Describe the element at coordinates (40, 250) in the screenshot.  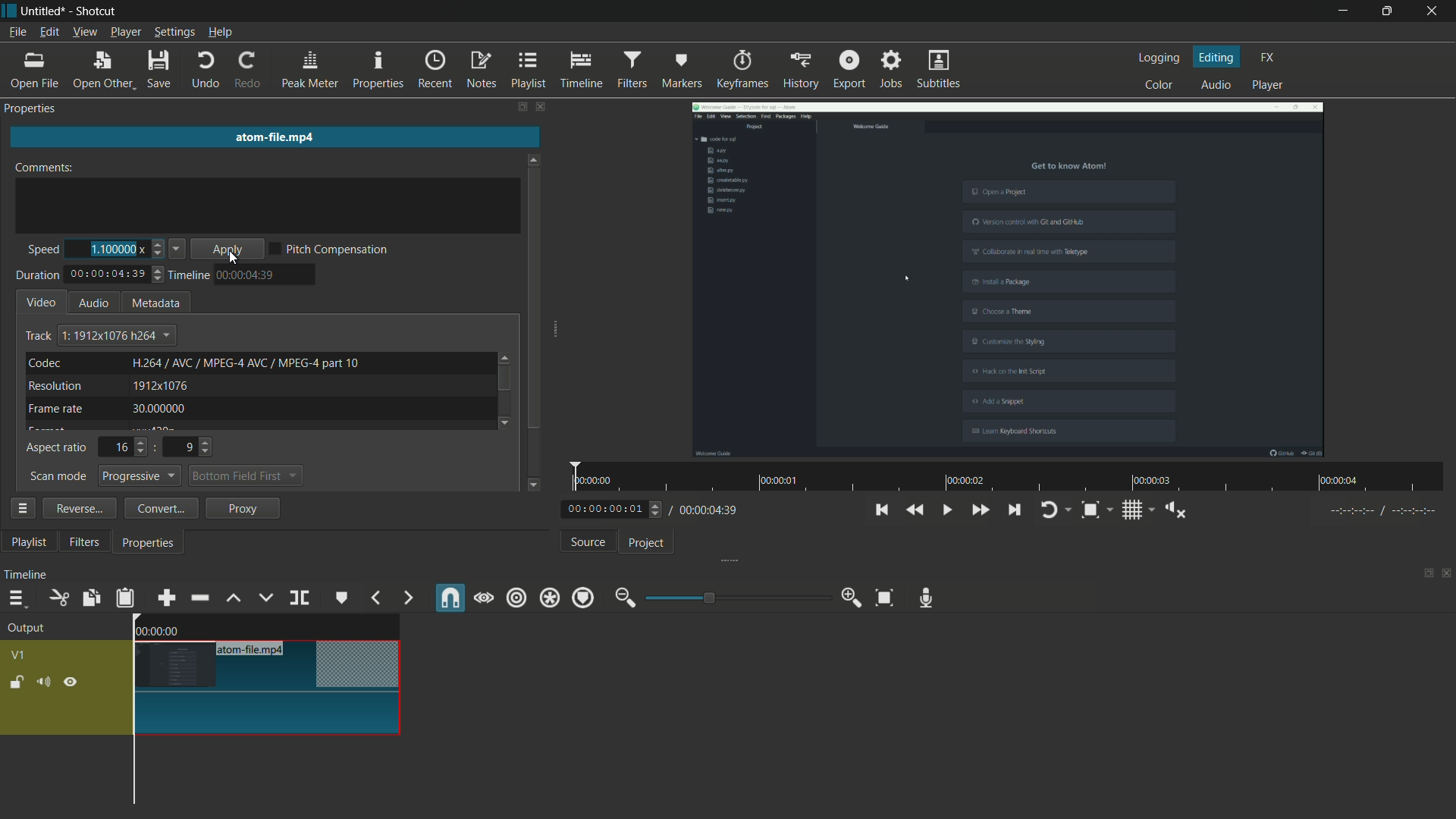
I see `speed` at that location.